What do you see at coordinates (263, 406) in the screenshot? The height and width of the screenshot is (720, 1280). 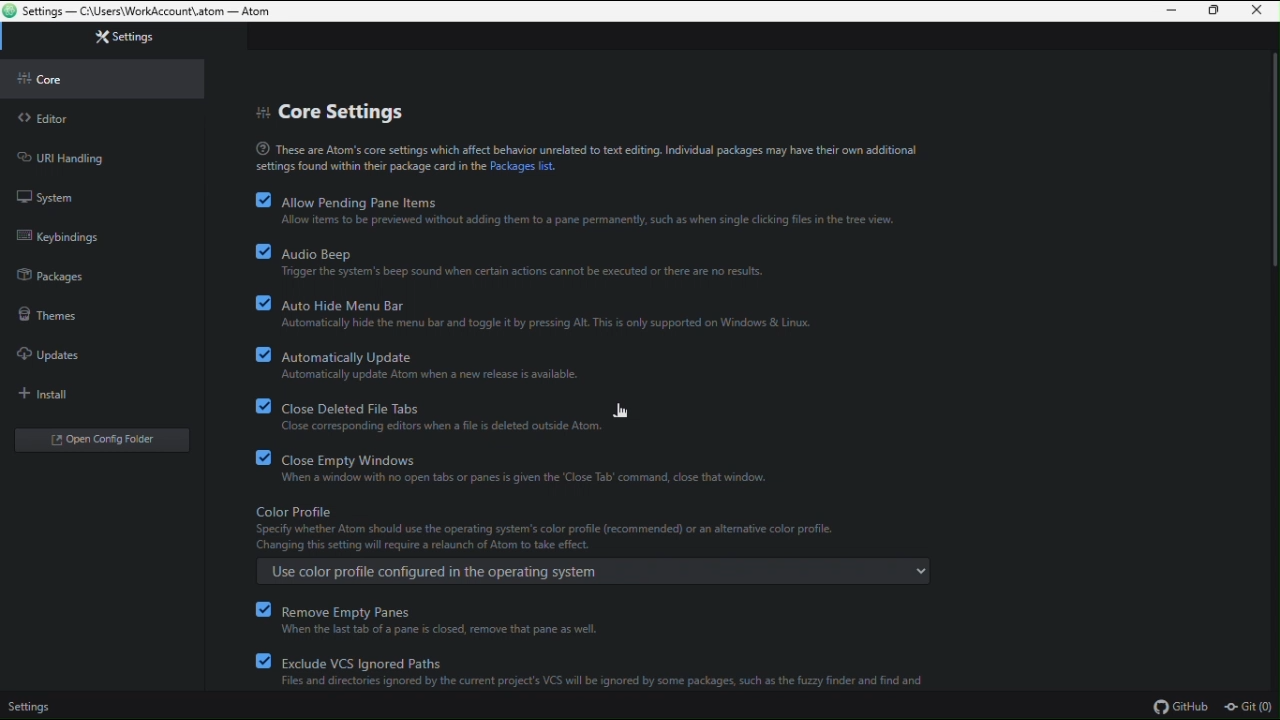 I see `checkbox` at bounding box center [263, 406].